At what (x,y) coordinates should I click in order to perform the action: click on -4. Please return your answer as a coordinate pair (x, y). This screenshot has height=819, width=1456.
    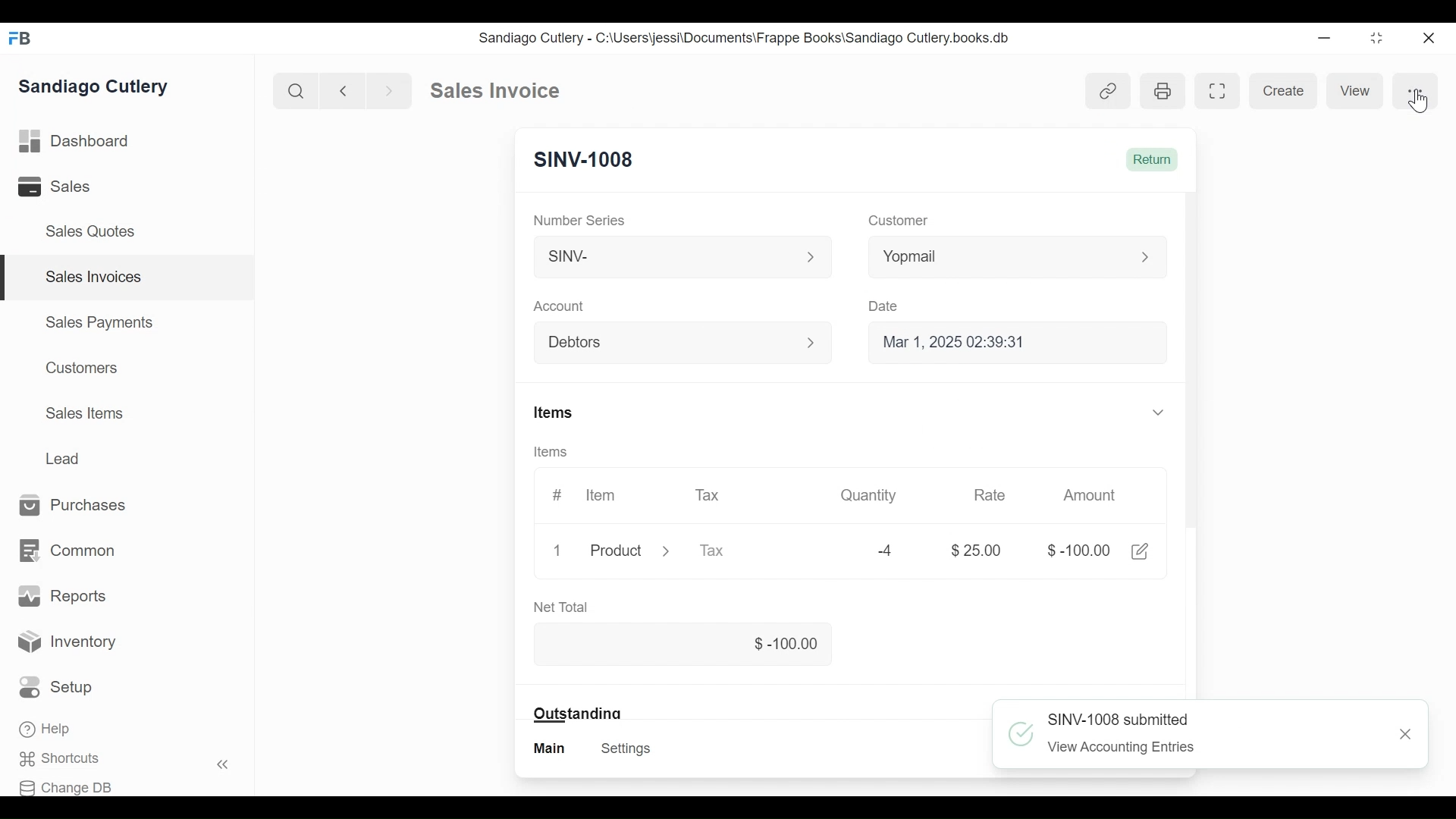
    Looking at the image, I should click on (886, 551).